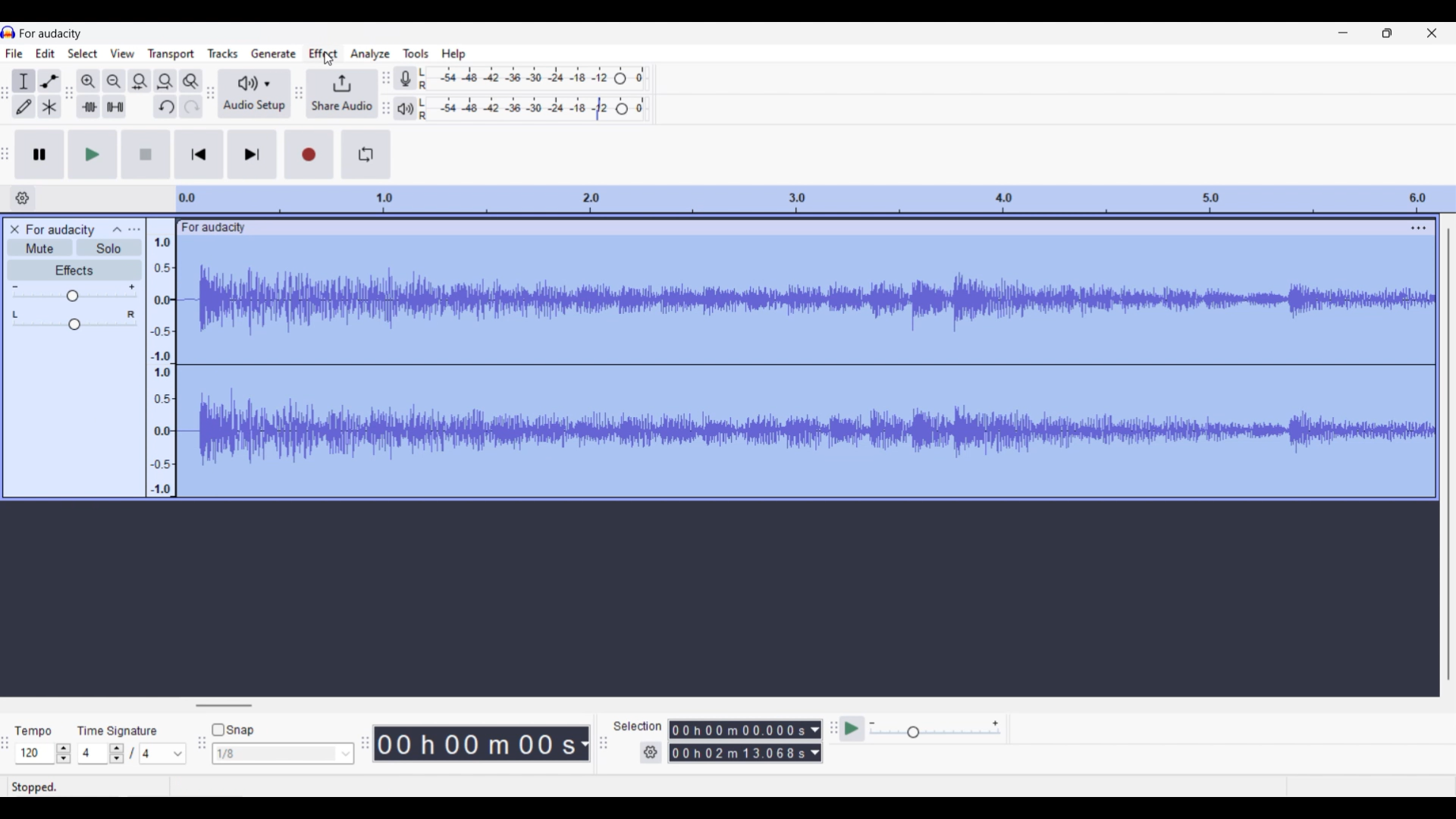 This screenshot has width=1456, height=819. Describe the element at coordinates (115, 81) in the screenshot. I see `Zoom out` at that location.